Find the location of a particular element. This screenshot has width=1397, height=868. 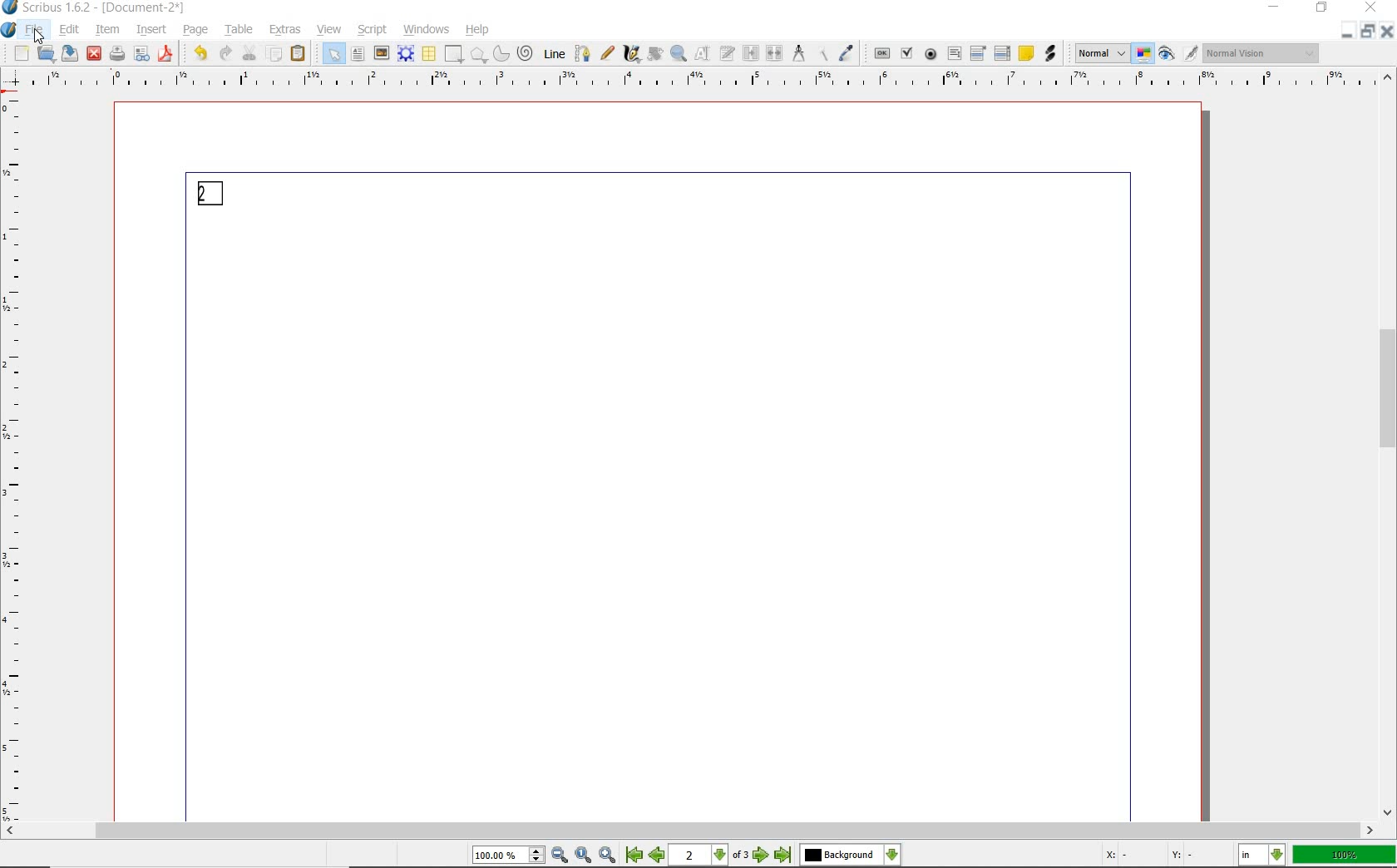

shape is located at coordinates (452, 55).